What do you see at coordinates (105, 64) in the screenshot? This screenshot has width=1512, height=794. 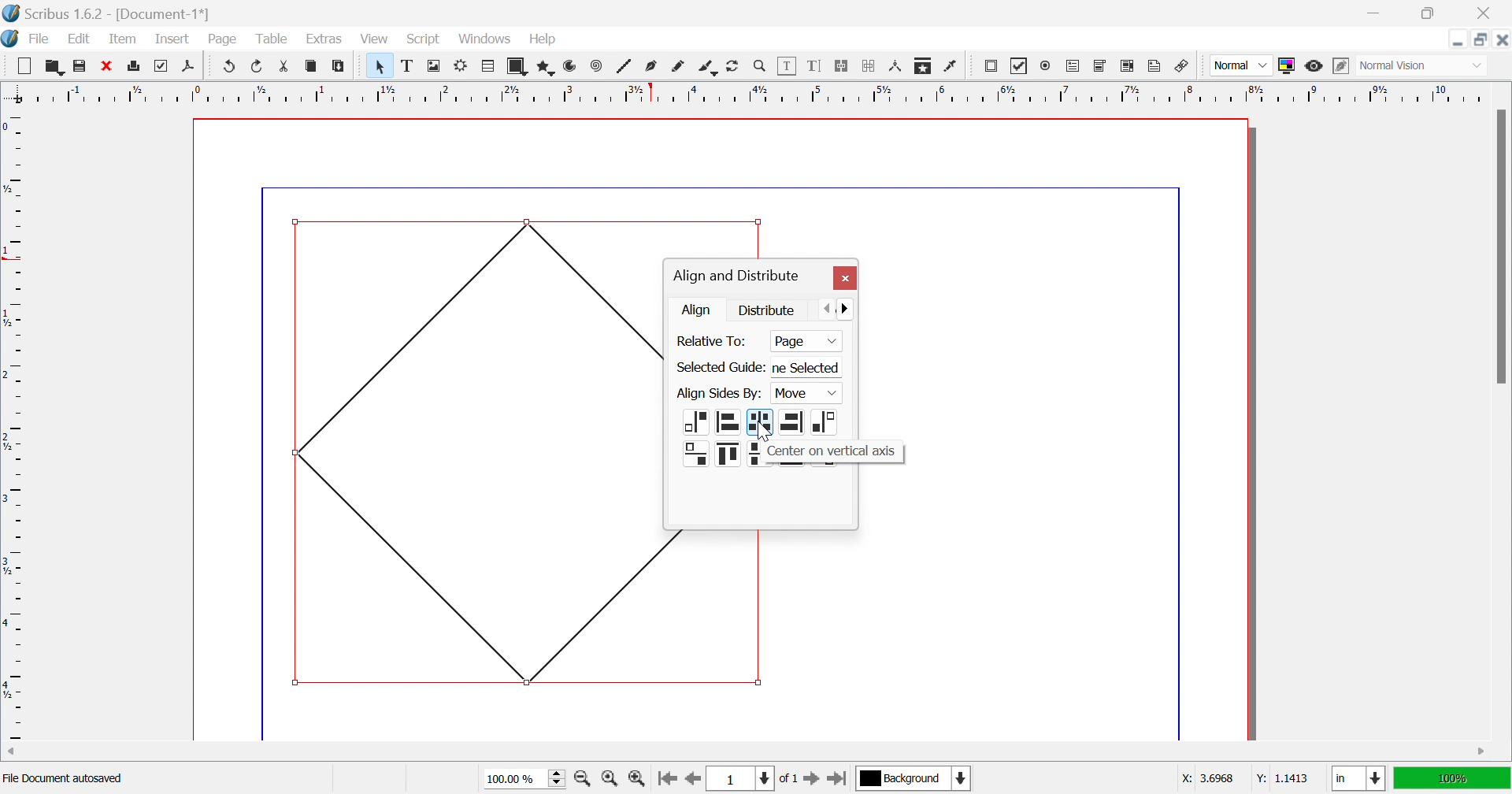 I see `Close` at bounding box center [105, 64].